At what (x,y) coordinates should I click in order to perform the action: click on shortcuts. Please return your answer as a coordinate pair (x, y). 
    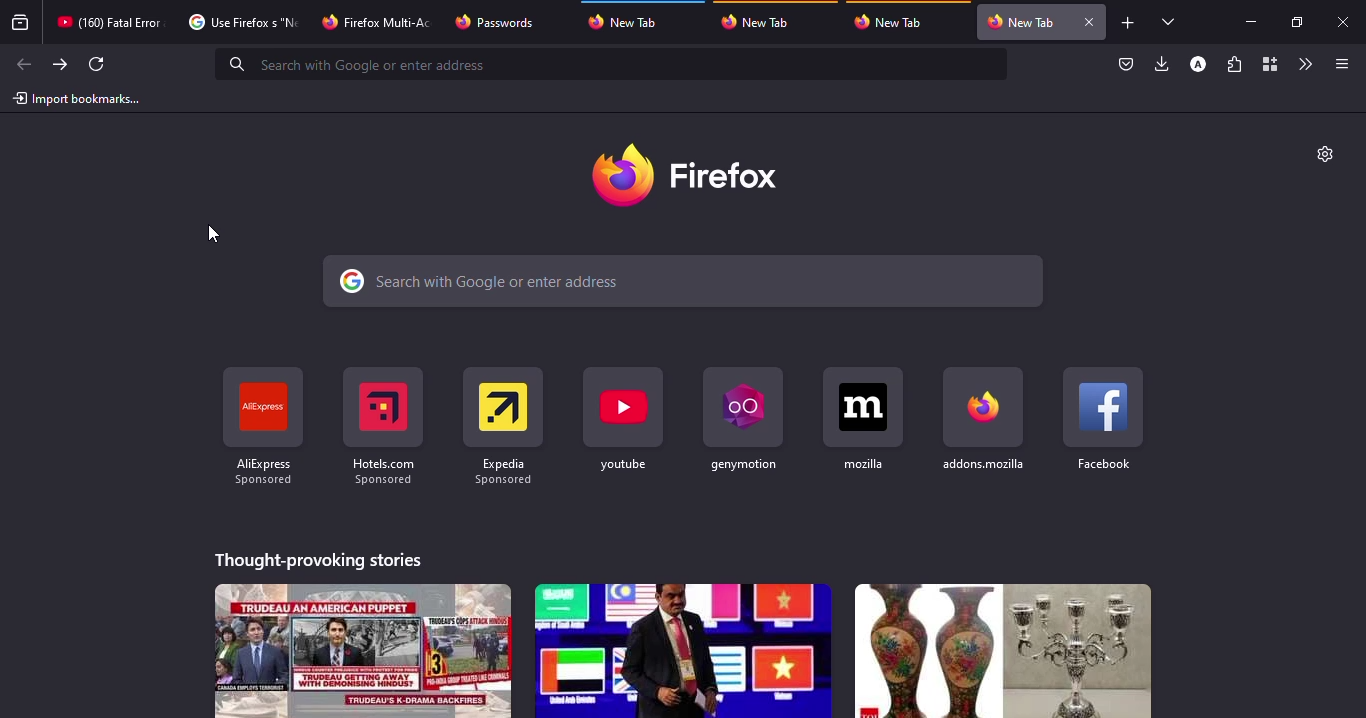
    Looking at the image, I should click on (981, 420).